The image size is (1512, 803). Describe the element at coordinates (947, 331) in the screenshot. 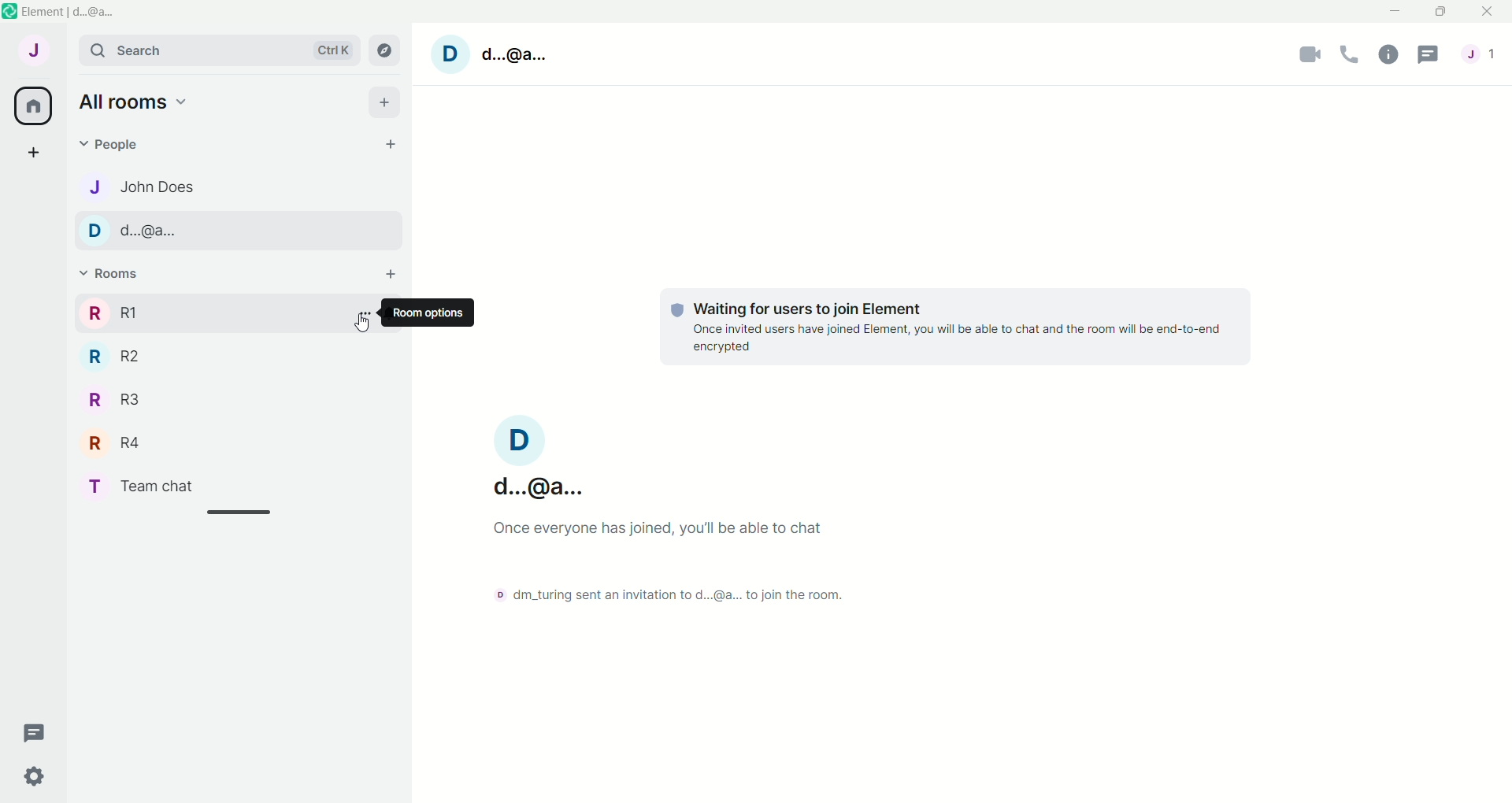

I see `Waiting for users to join Element, you will be able to chat after joining...` at that location.